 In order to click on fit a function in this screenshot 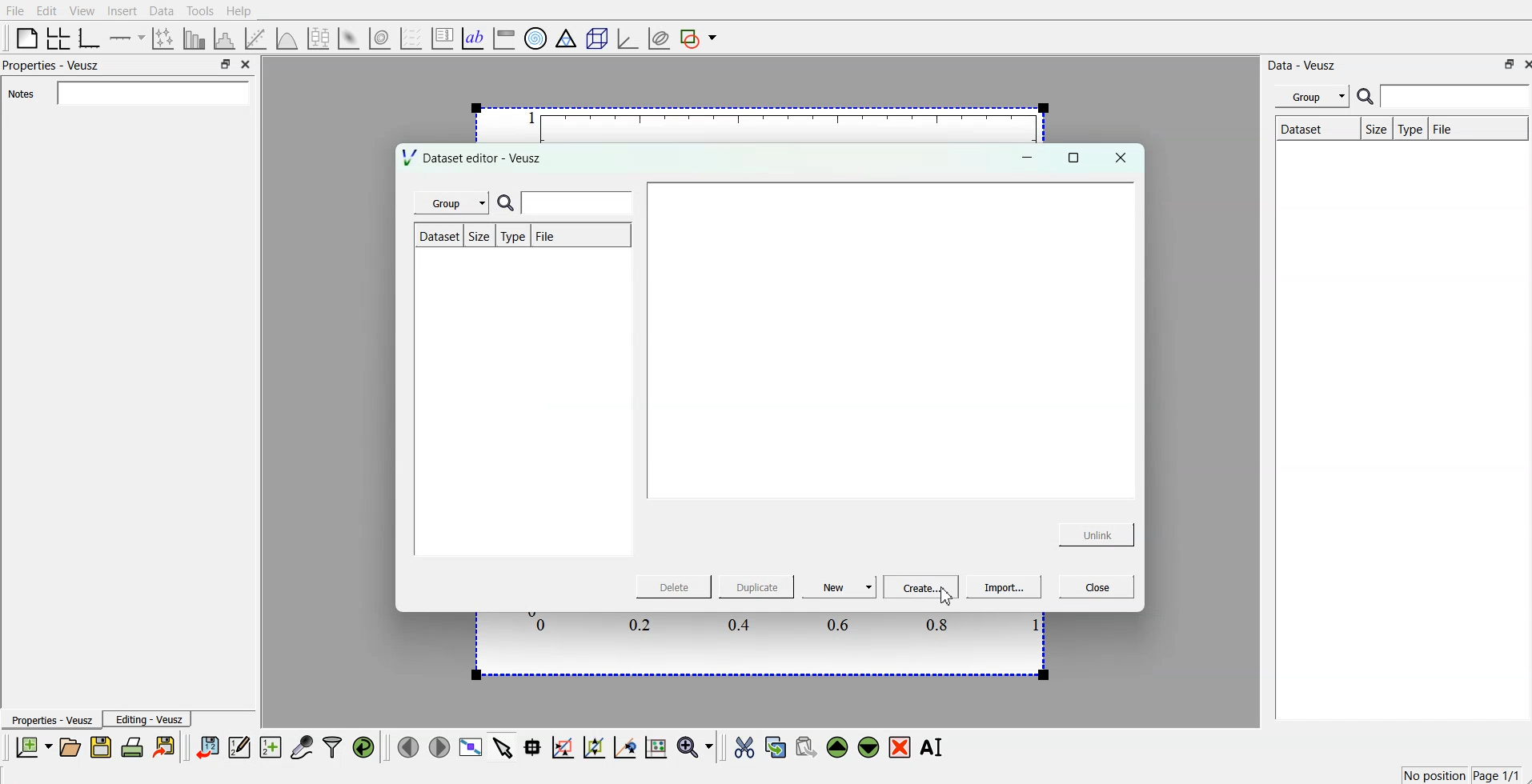, I will do `click(258, 37)`.